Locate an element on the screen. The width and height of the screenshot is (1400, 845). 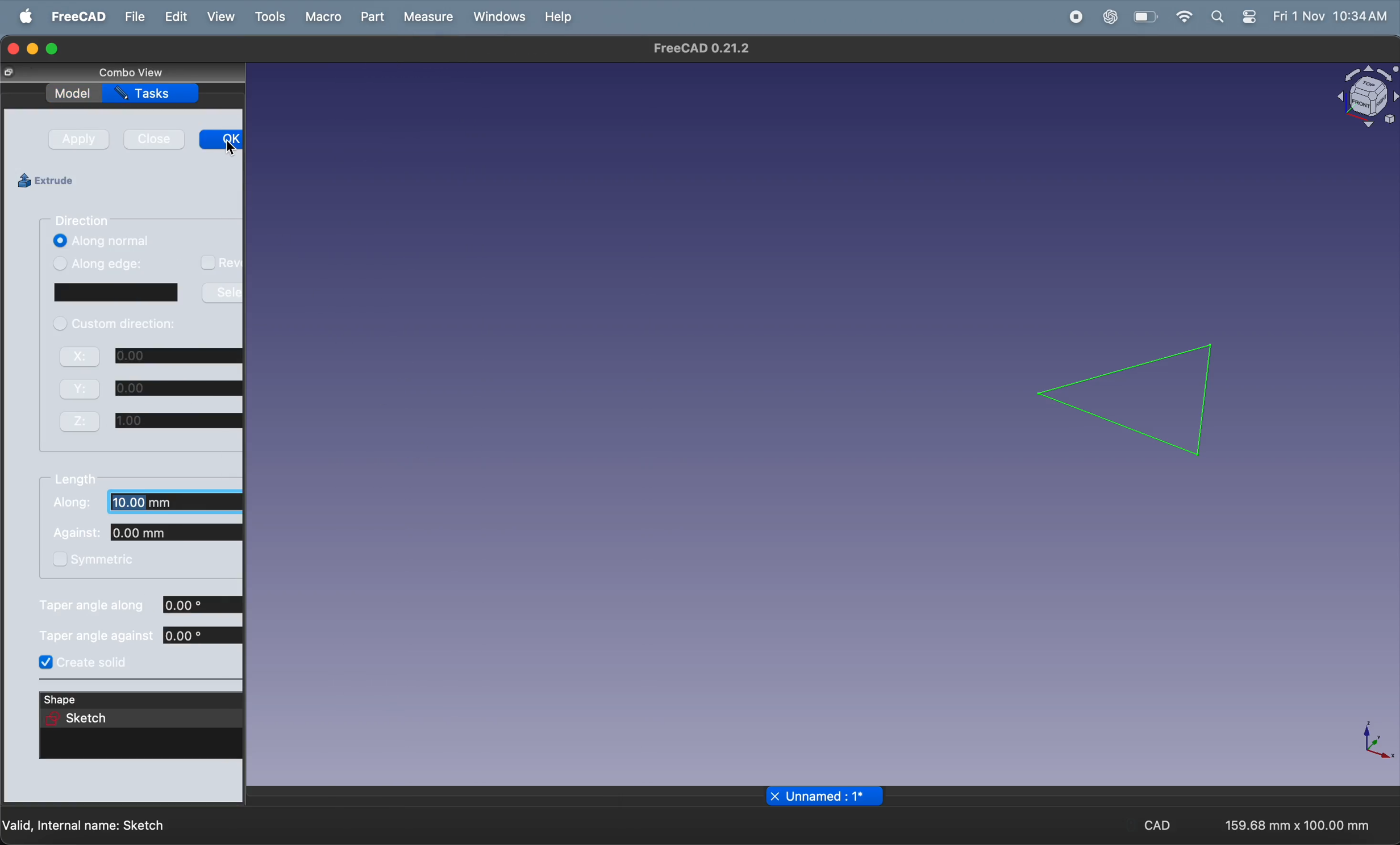
along normal is located at coordinates (115, 240).